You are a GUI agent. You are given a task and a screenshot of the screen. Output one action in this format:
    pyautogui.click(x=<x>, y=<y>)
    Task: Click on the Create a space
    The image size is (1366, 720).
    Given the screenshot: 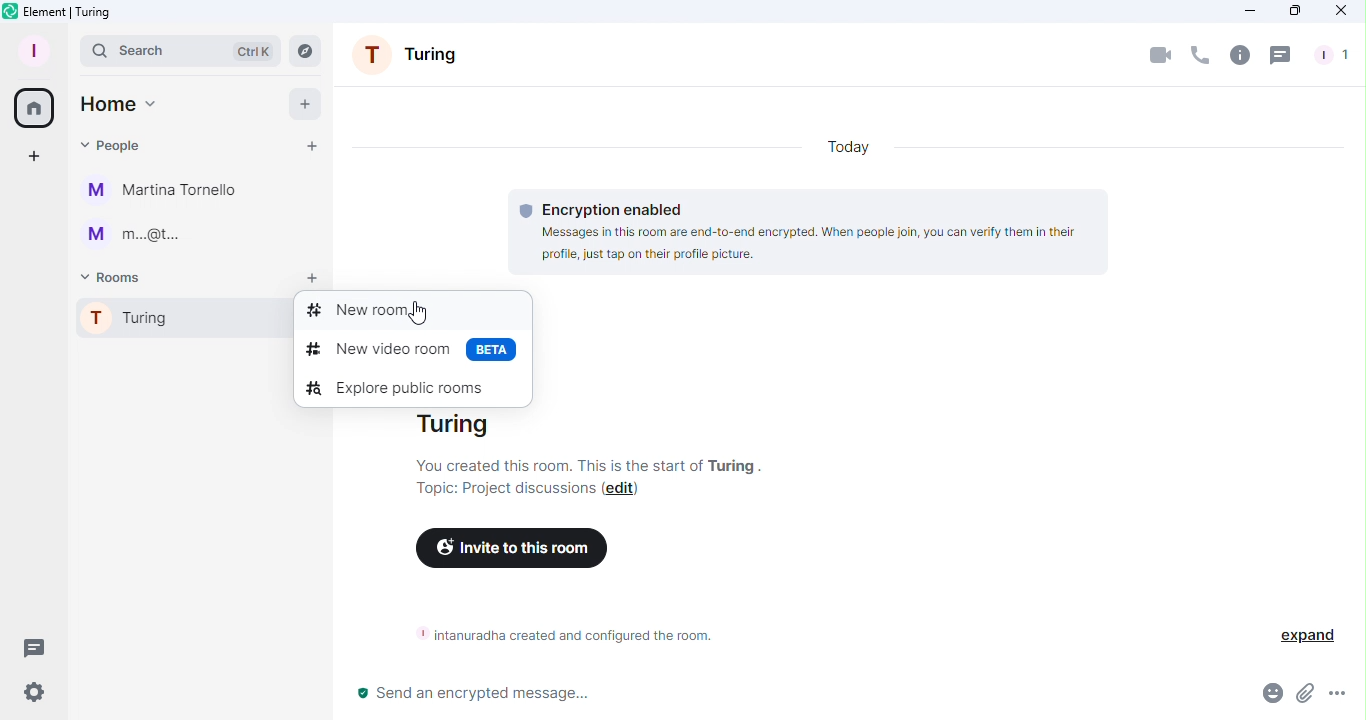 What is the action you would take?
    pyautogui.click(x=35, y=157)
    